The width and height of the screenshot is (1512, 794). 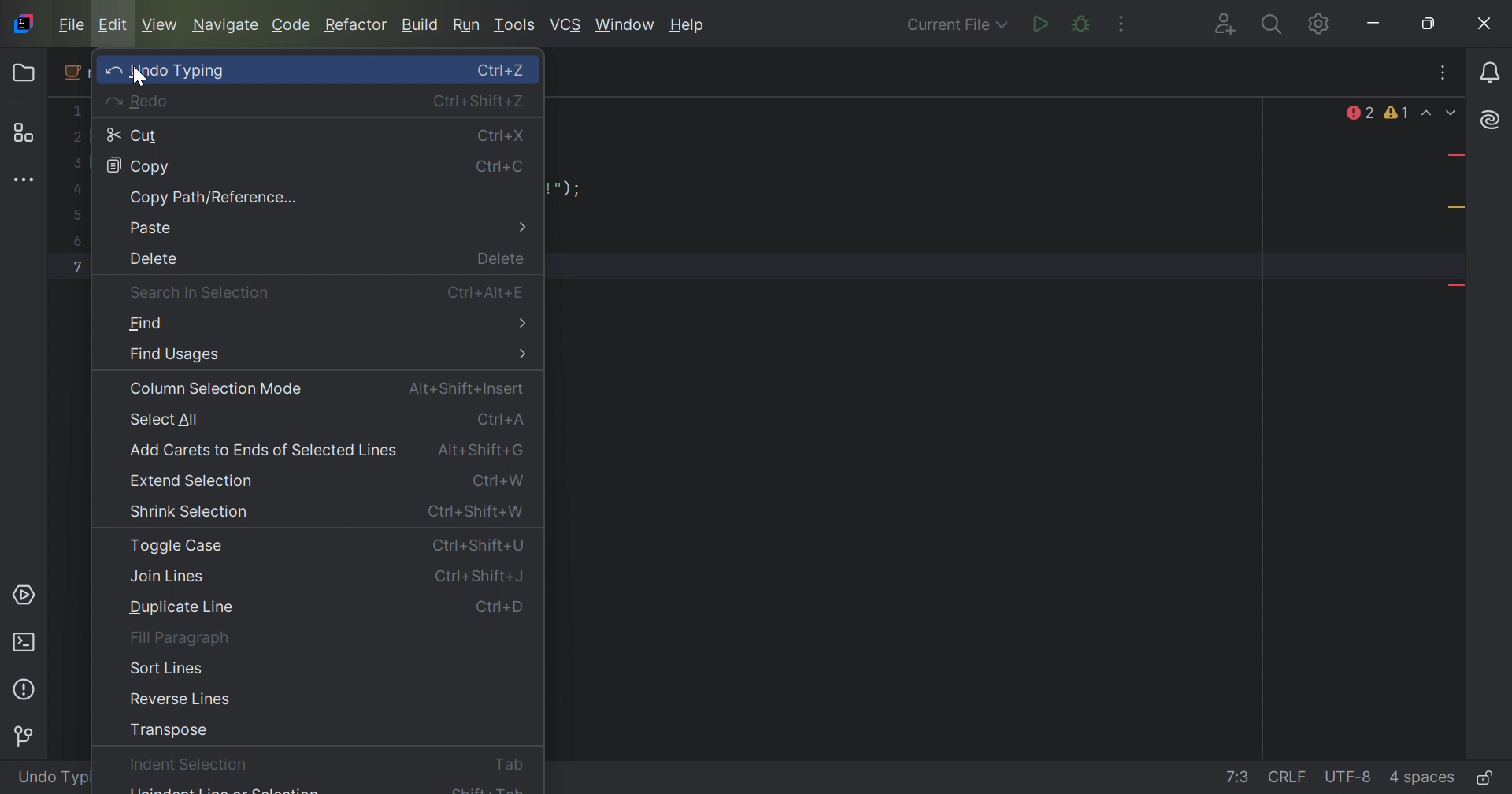 What do you see at coordinates (476, 101) in the screenshot?
I see `Ctrl+Shift+Z` at bounding box center [476, 101].